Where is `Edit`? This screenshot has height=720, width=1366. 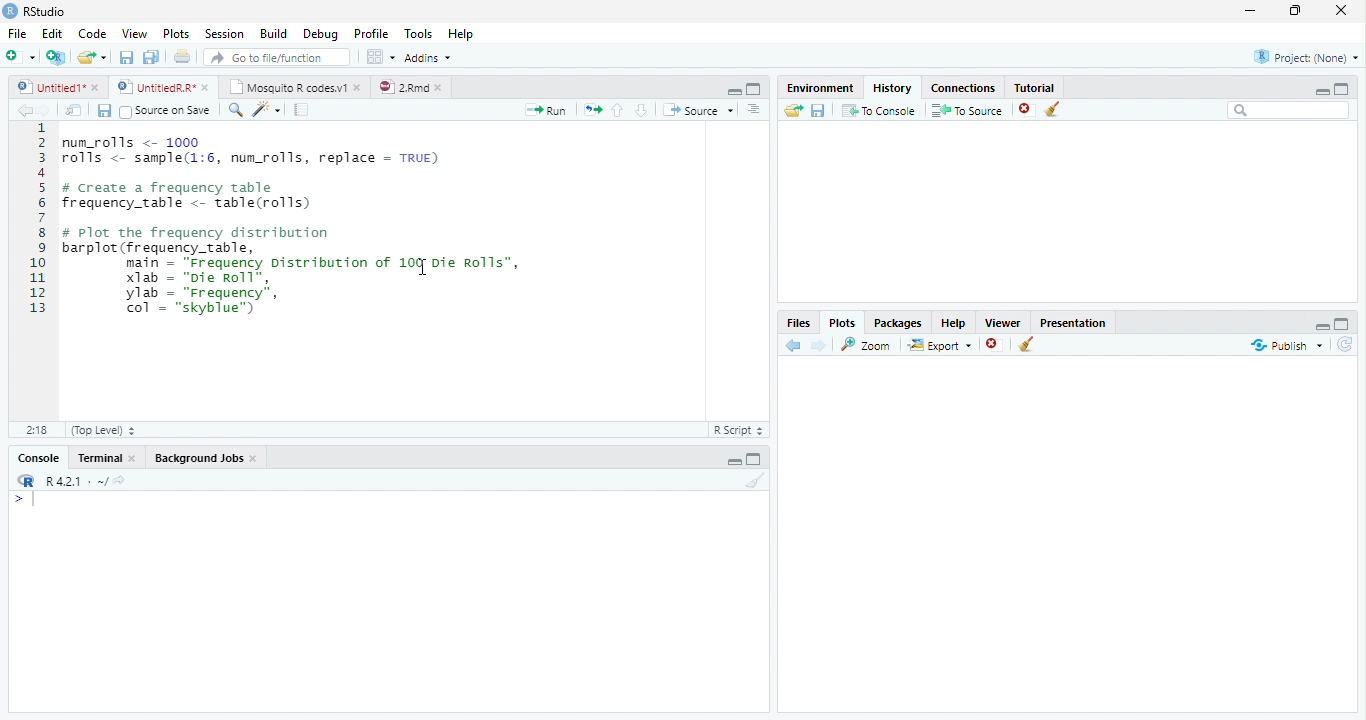 Edit is located at coordinates (53, 31).